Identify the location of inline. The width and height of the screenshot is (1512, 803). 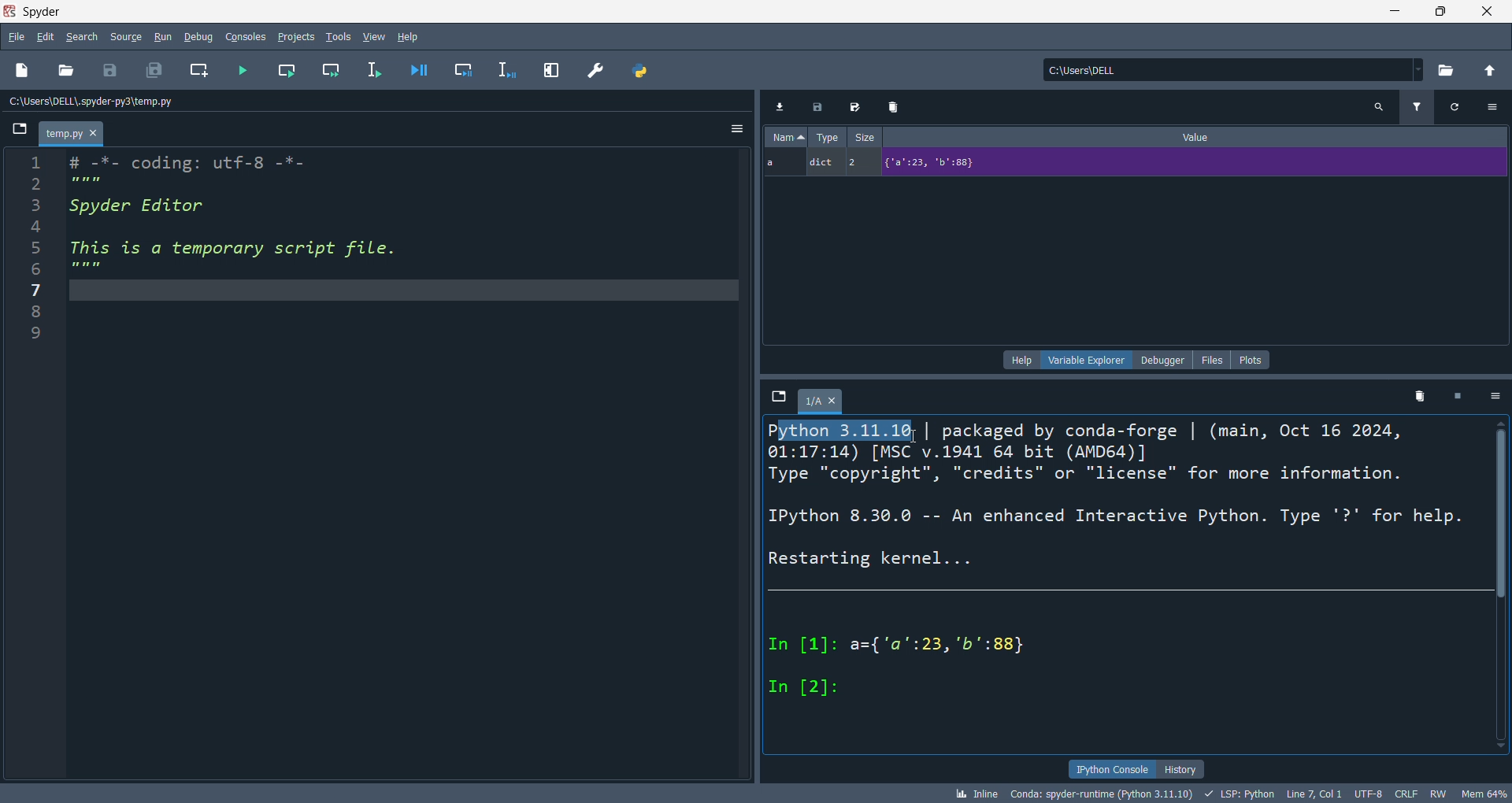
(974, 794).